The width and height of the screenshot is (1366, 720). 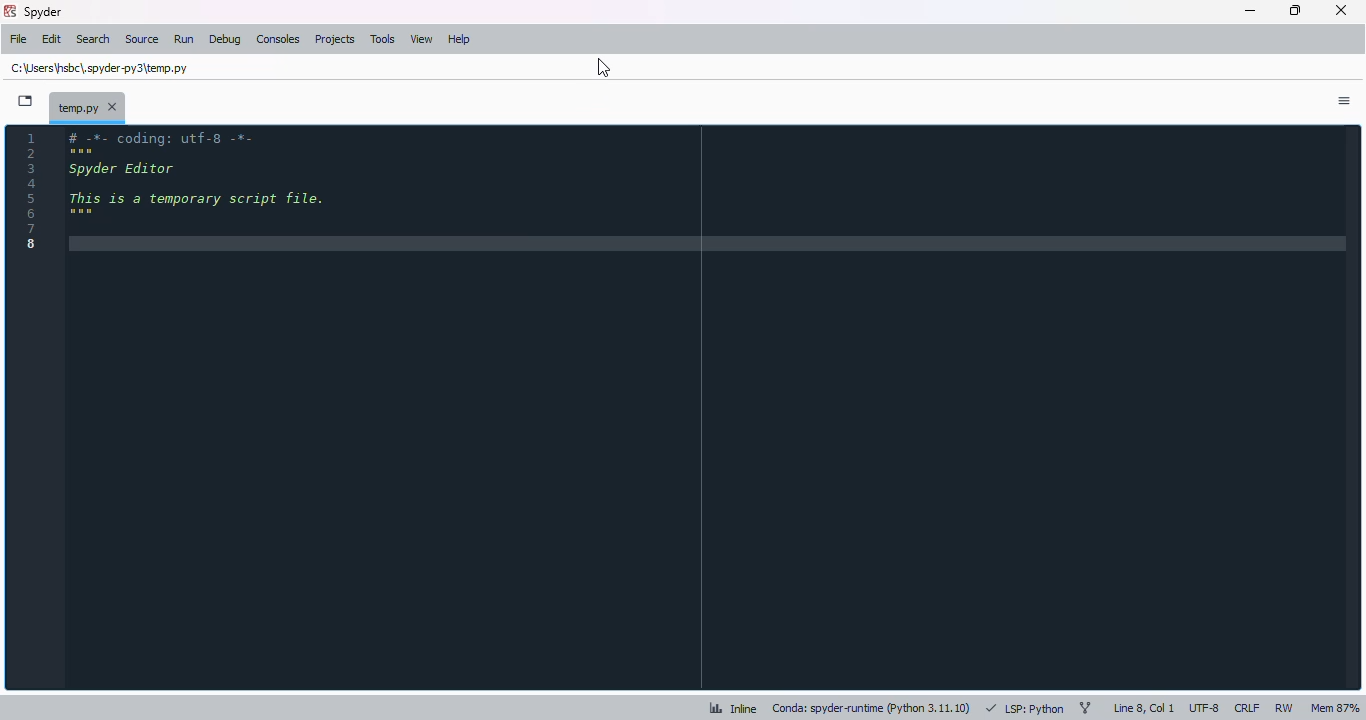 What do you see at coordinates (1144, 708) in the screenshot?
I see `line 8, col 1` at bounding box center [1144, 708].